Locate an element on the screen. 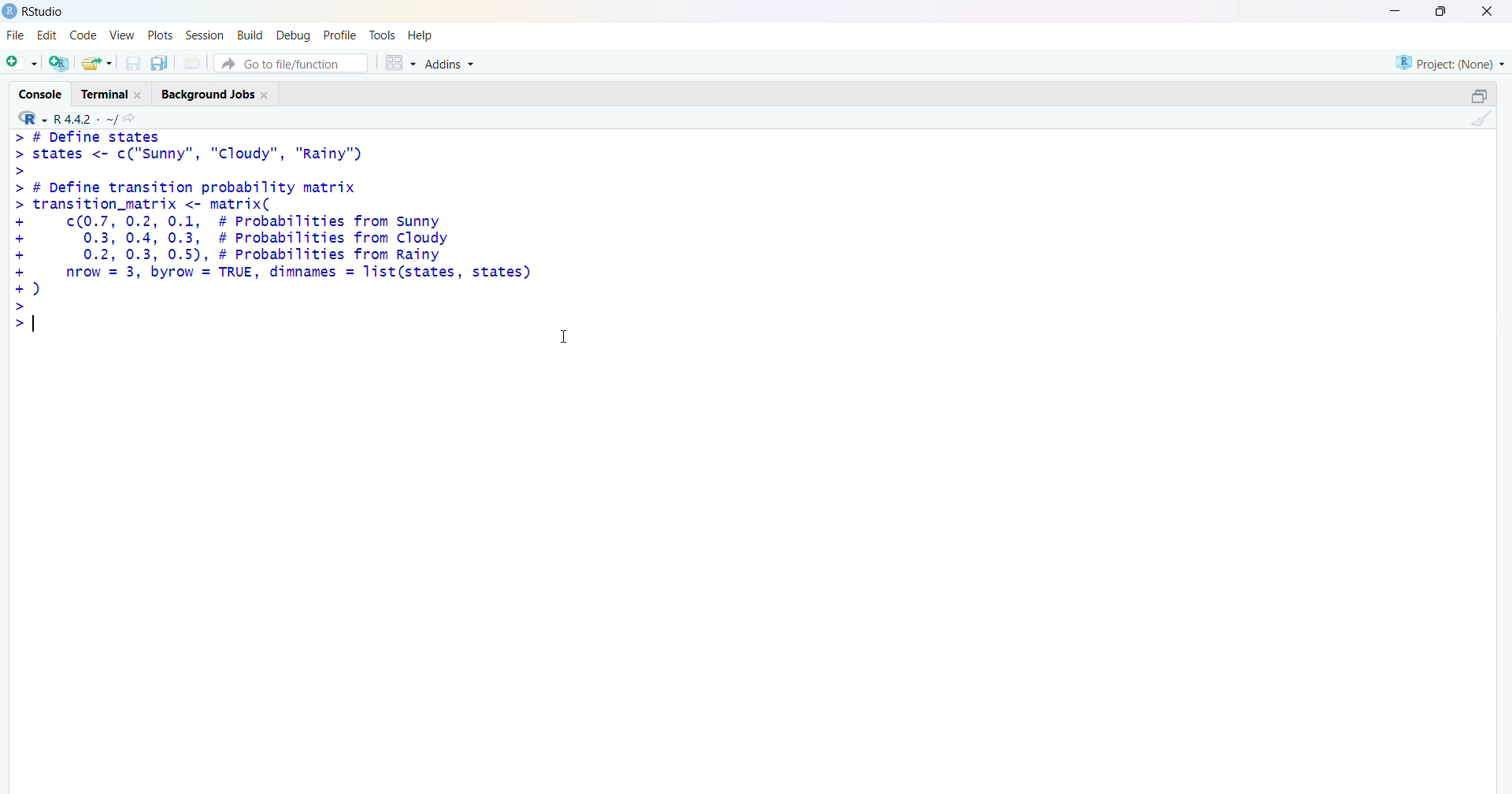 This screenshot has width=1512, height=794. collapse is located at coordinates (1478, 96).